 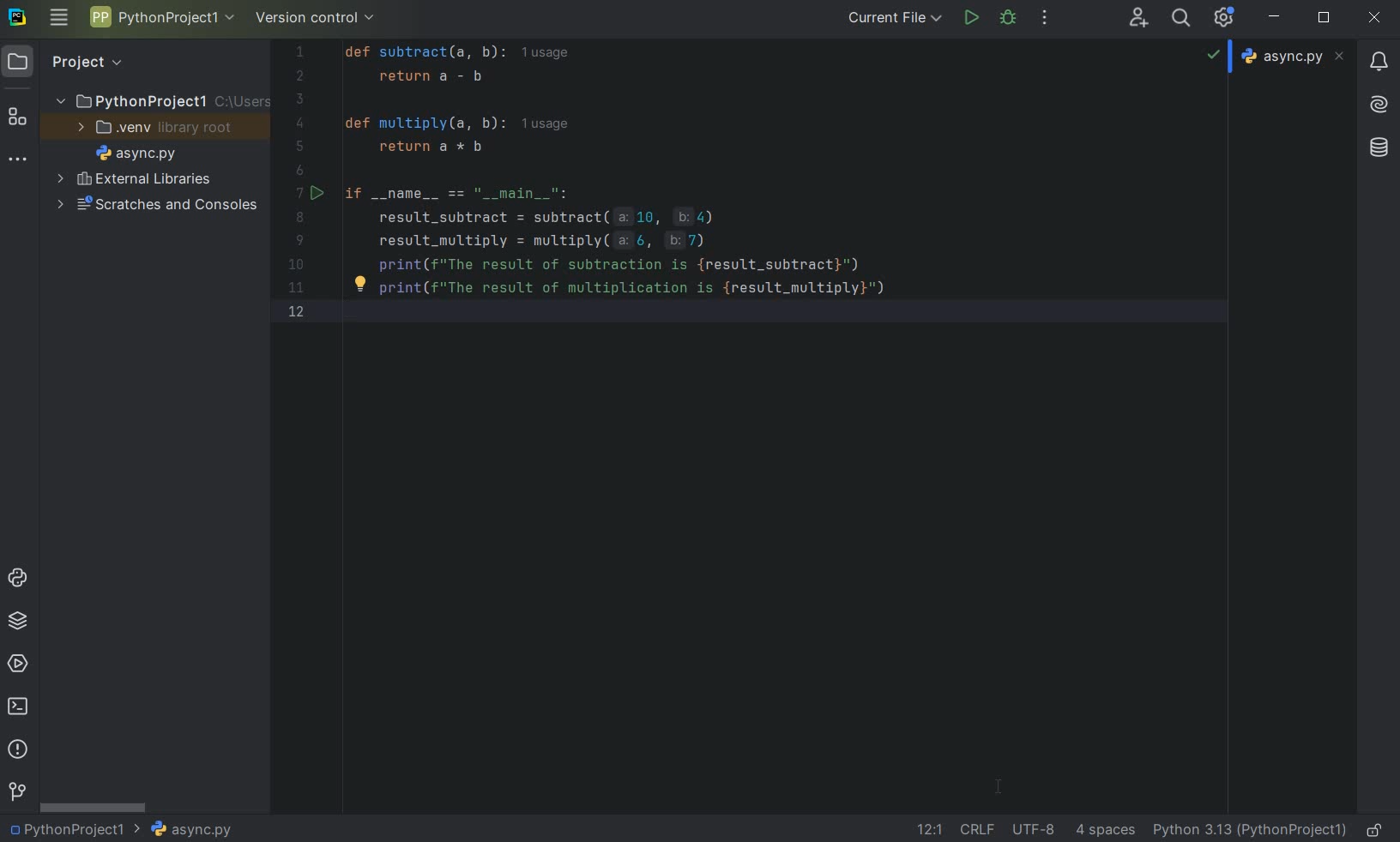 I want to click on main menu, so click(x=60, y=18).